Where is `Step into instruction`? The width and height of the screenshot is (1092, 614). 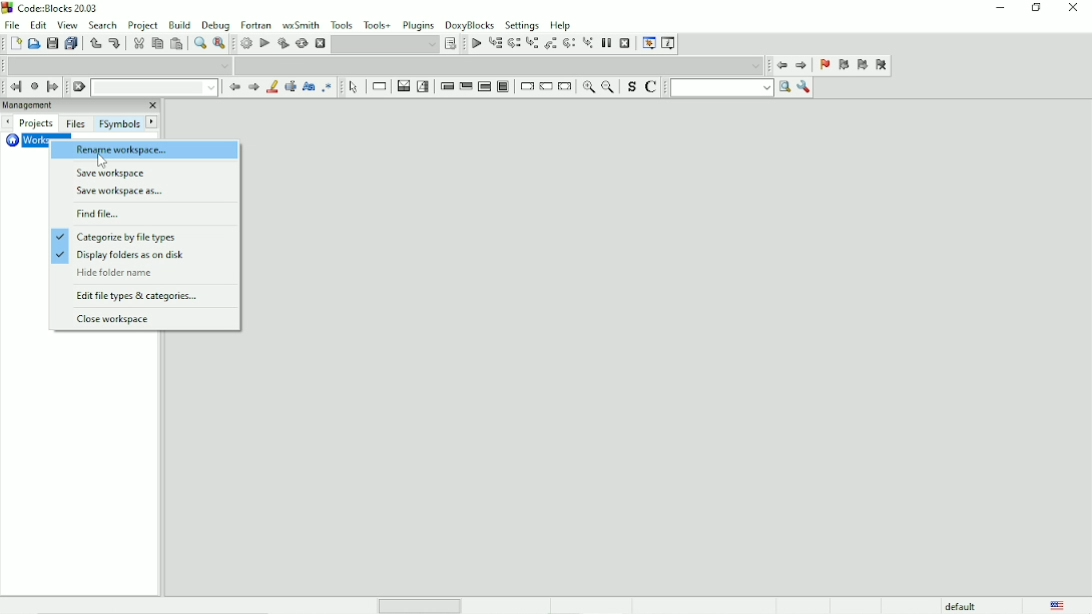 Step into instruction is located at coordinates (588, 44).